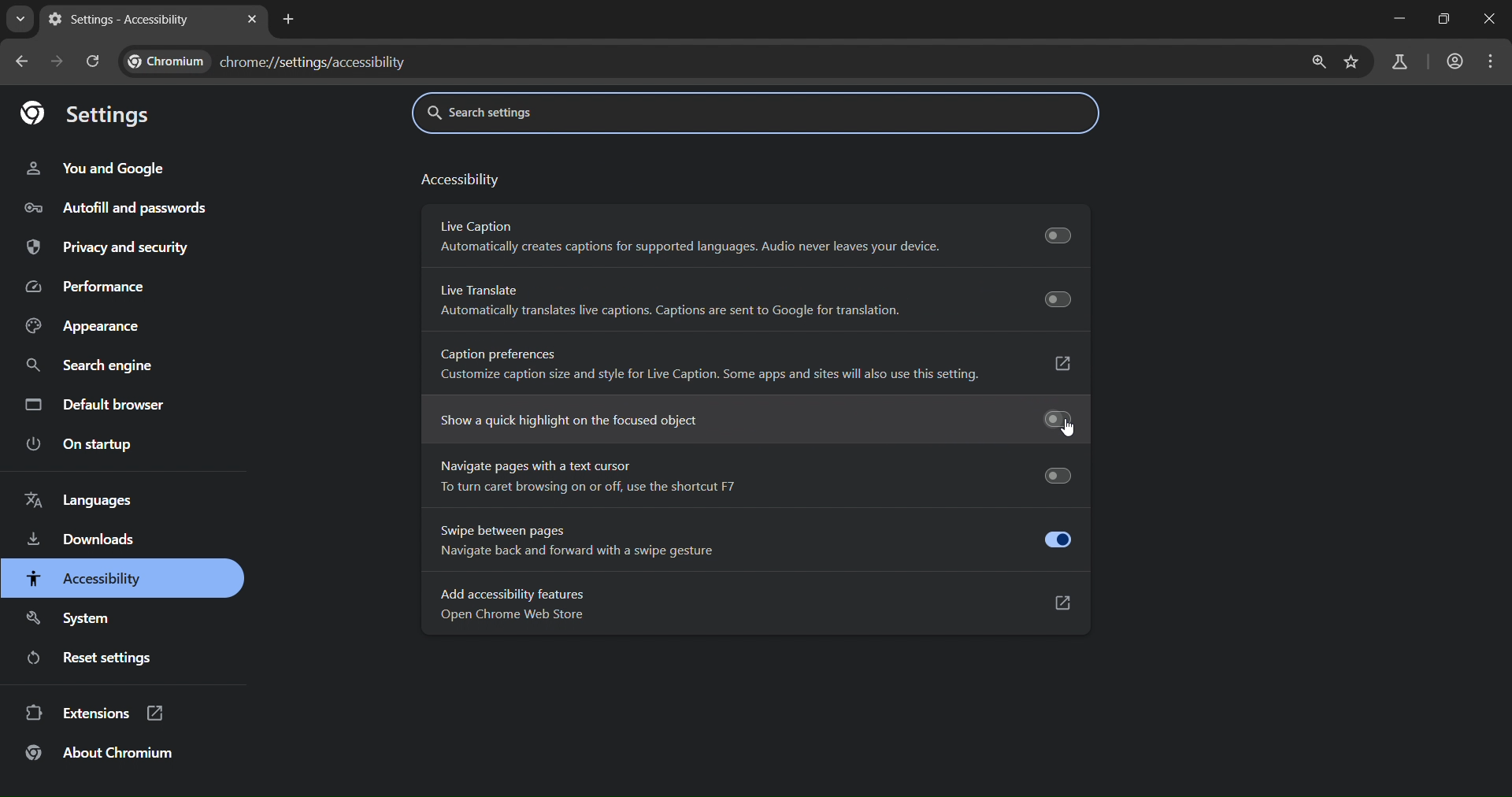 Image resolution: width=1512 pixels, height=797 pixels. What do you see at coordinates (1442, 18) in the screenshot?
I see `restore down` at bounding box center [1442, 18].